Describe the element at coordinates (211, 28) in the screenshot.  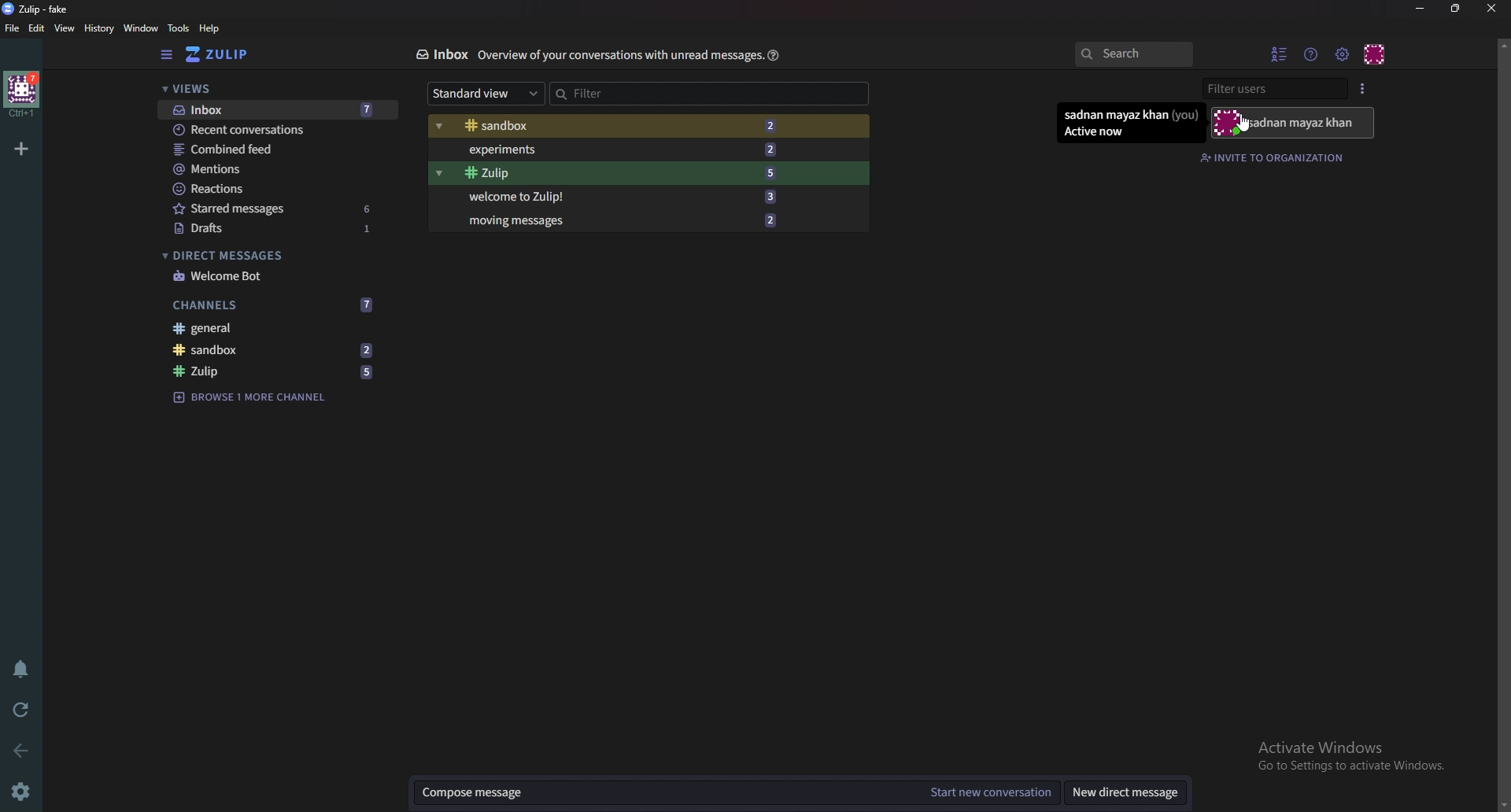
I see `help` at that location.